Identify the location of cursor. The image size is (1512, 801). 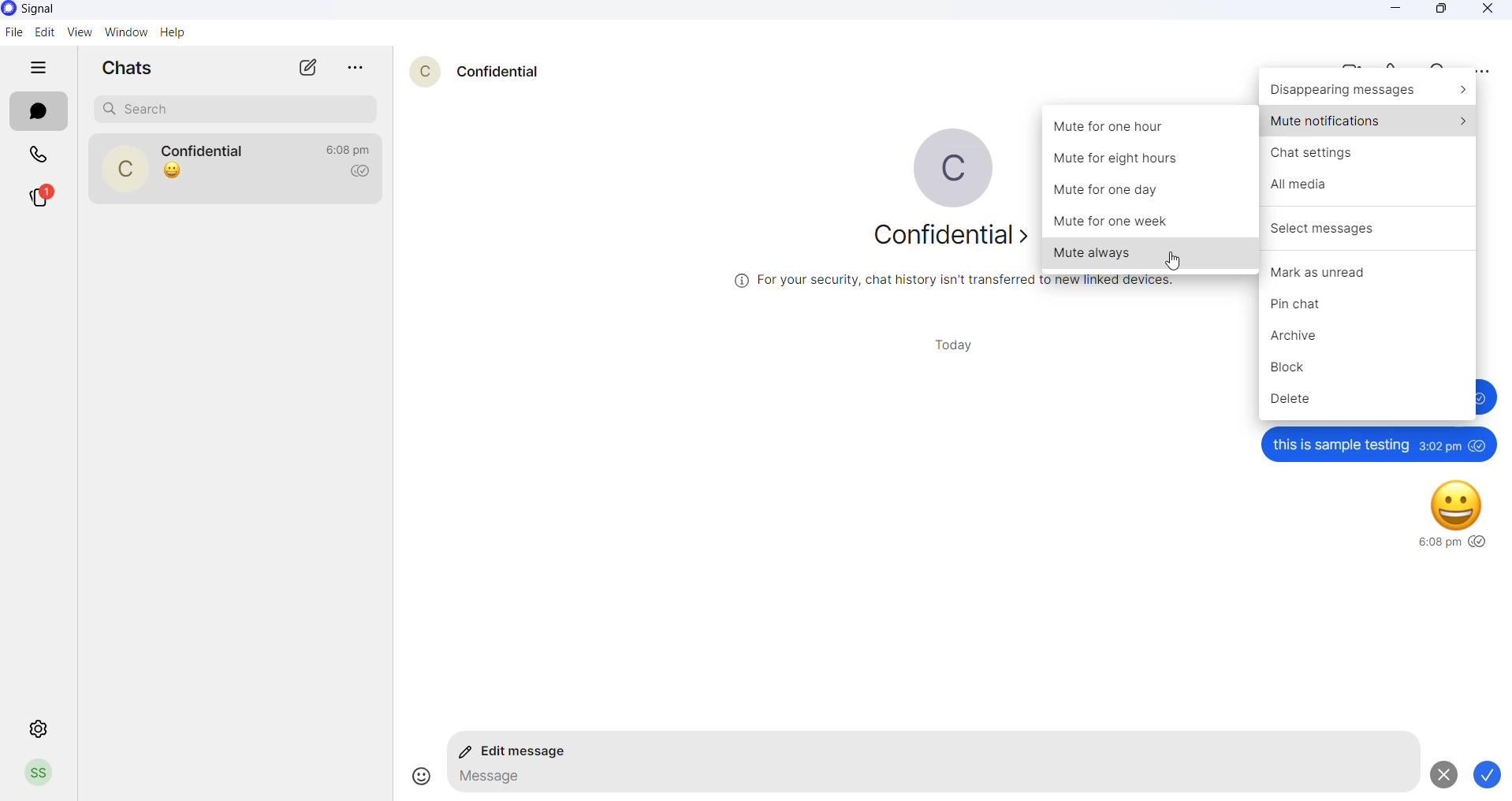
(1175, 264).